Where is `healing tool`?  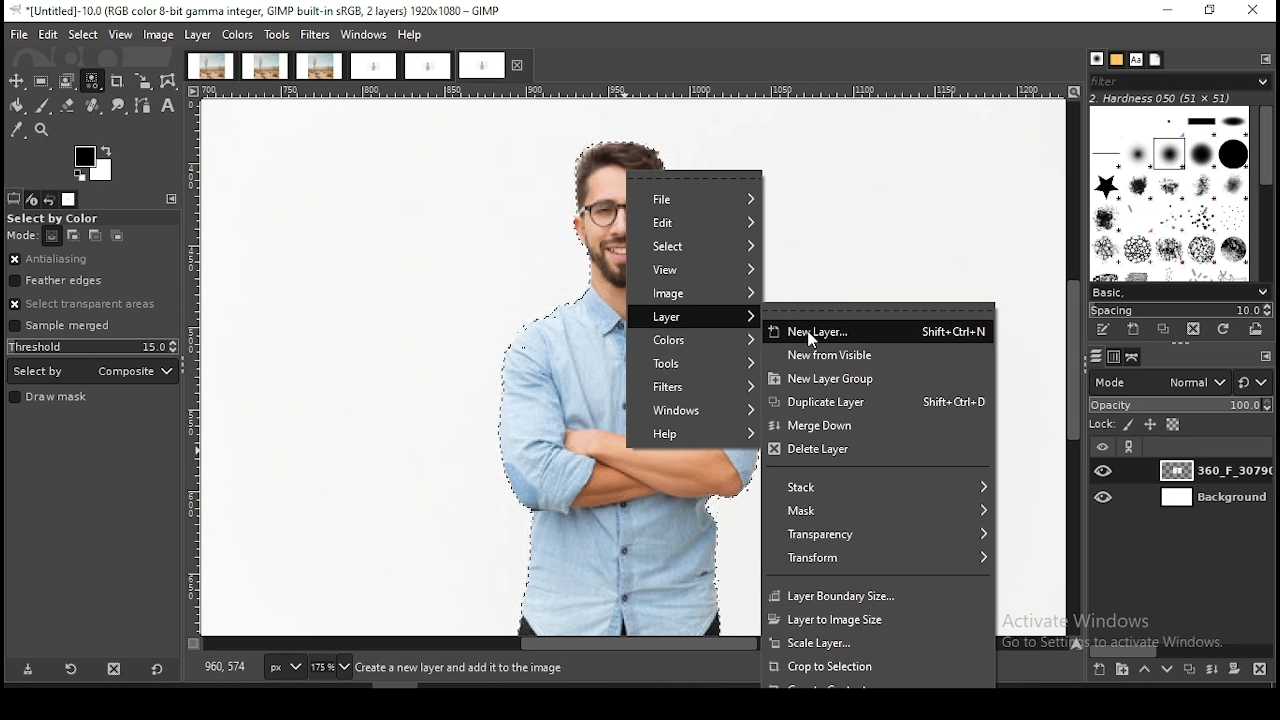
healing tool is located at coordinates (94, 106).